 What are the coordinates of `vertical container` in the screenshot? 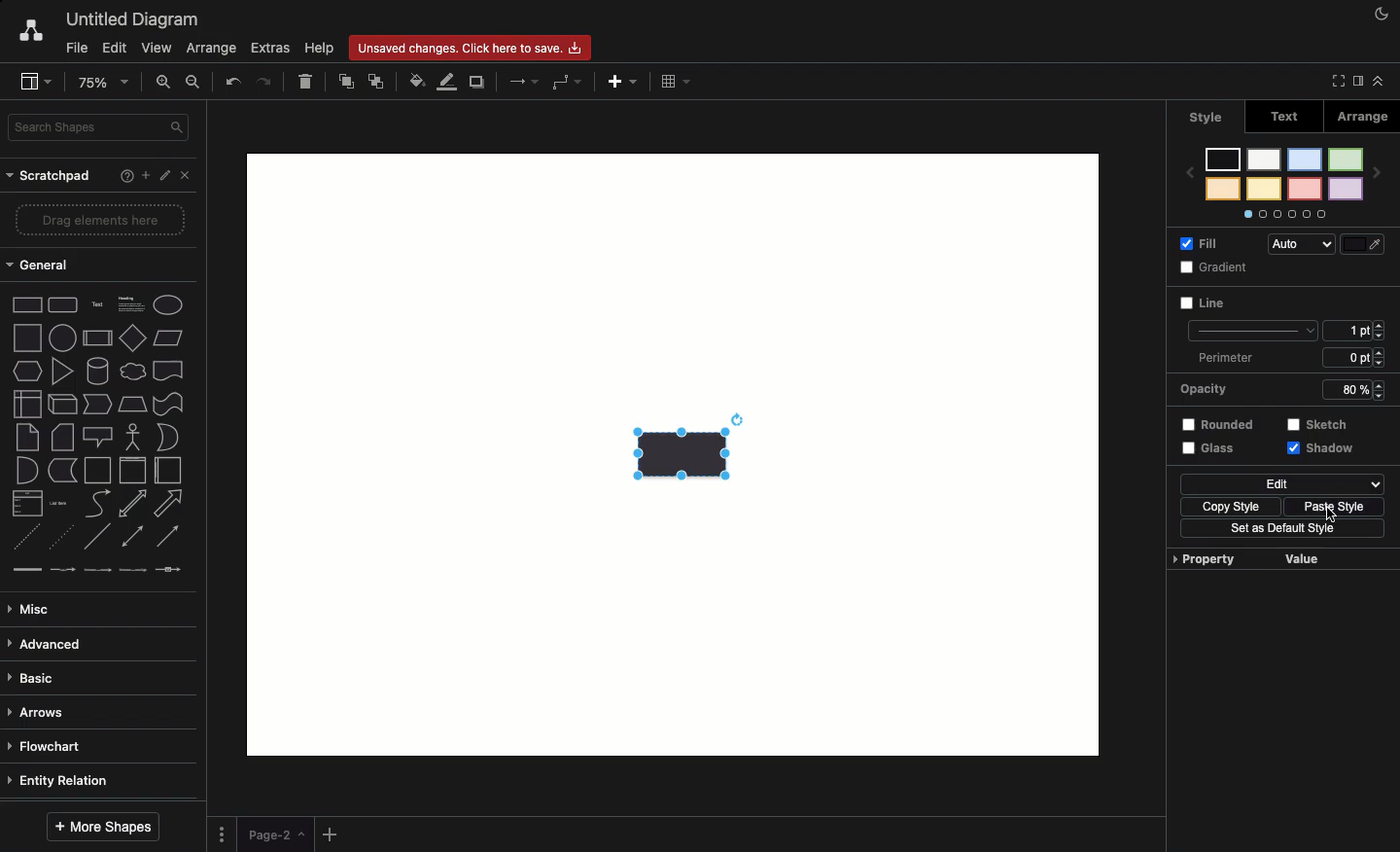 It's located at (131, 472).